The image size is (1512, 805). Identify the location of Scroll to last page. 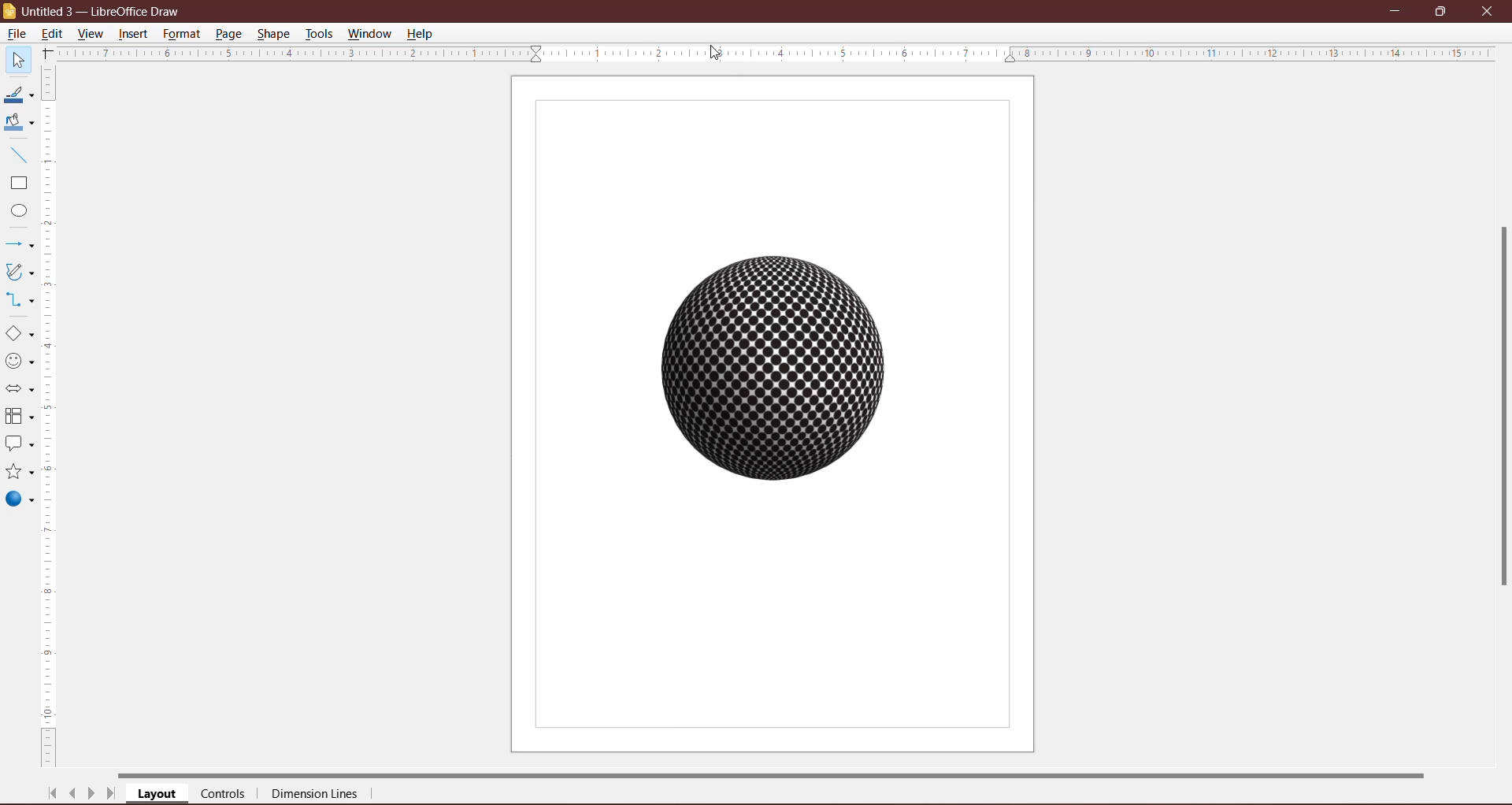
(112, 796).